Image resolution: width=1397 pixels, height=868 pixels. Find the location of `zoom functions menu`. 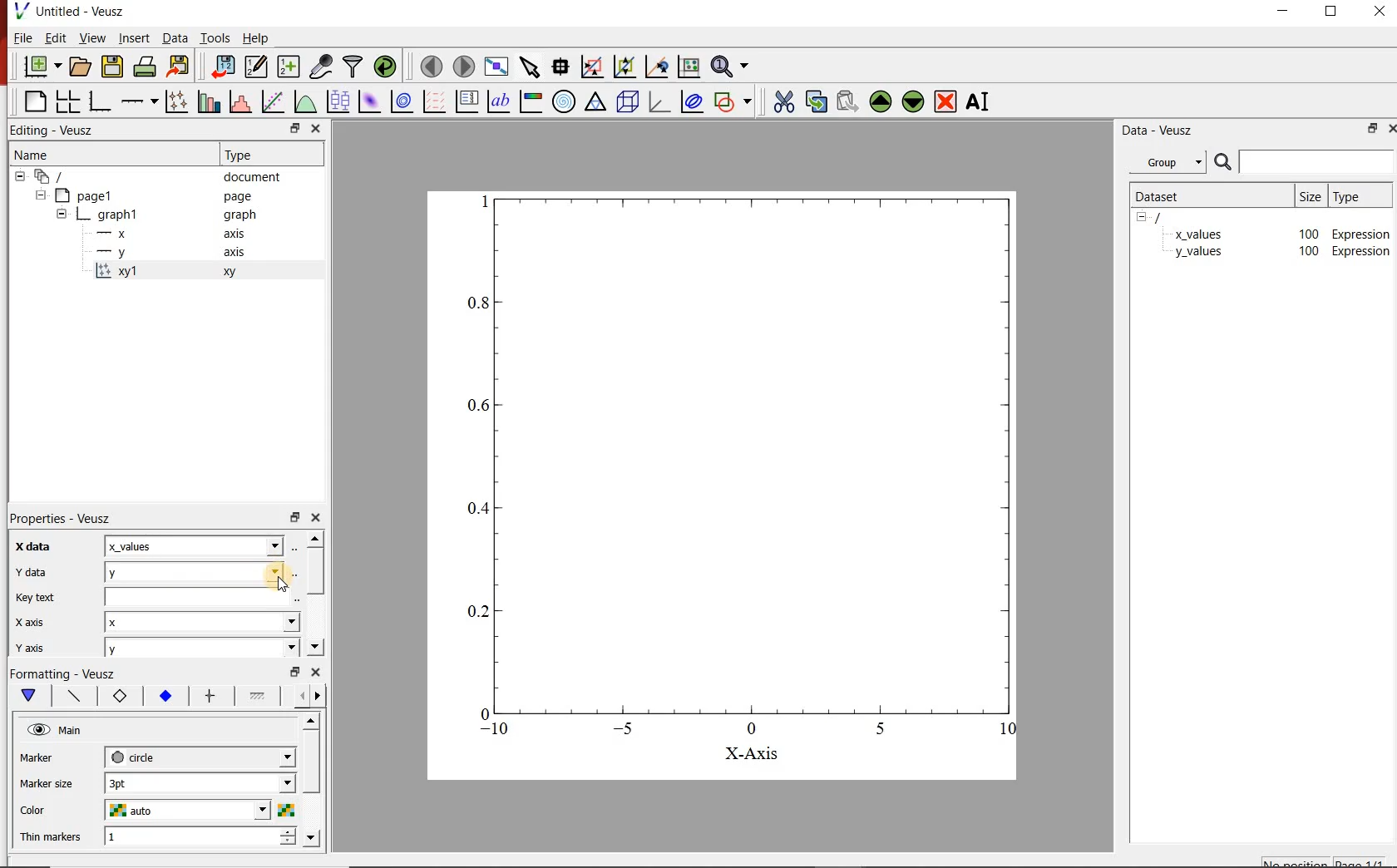

zoom functions menu is located at coordinates (730, 68).